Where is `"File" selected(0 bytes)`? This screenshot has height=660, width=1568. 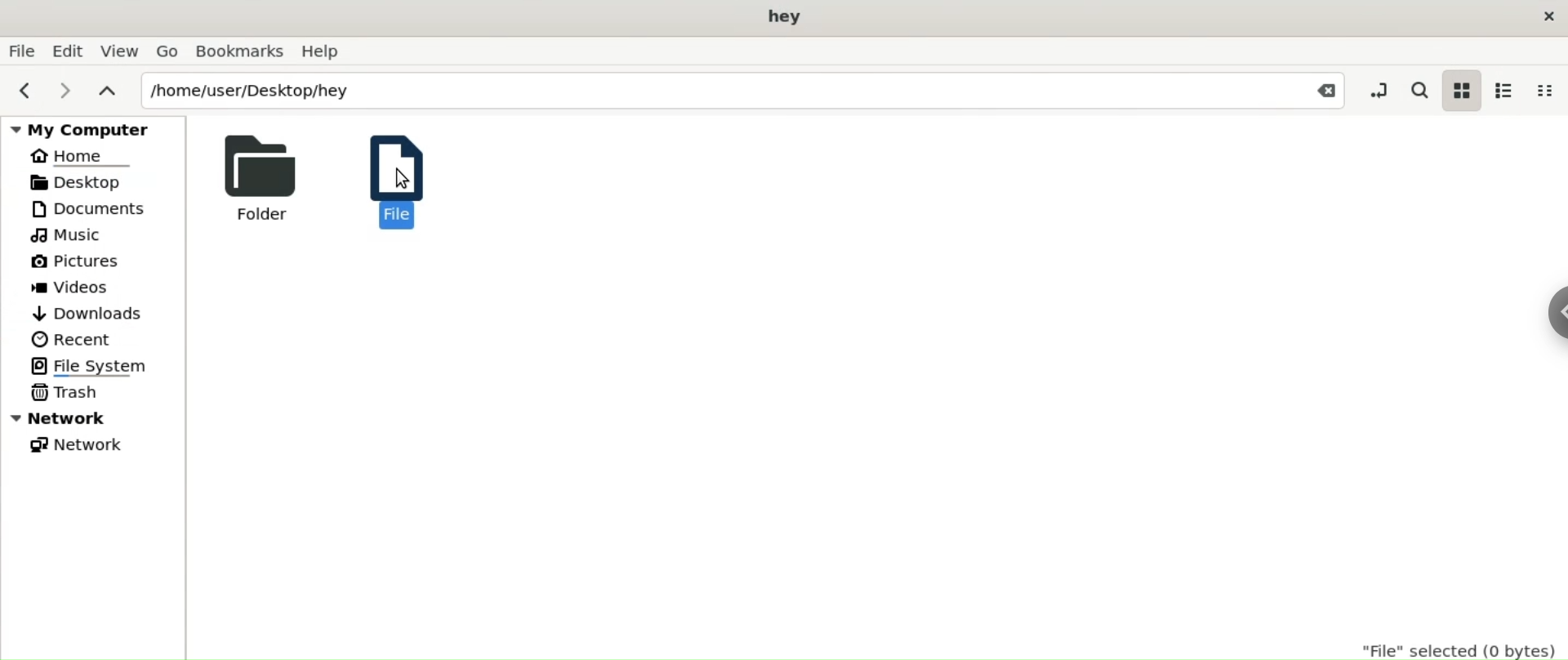
"File" selected(0 bytes) is located at coordinates (1455, 645).